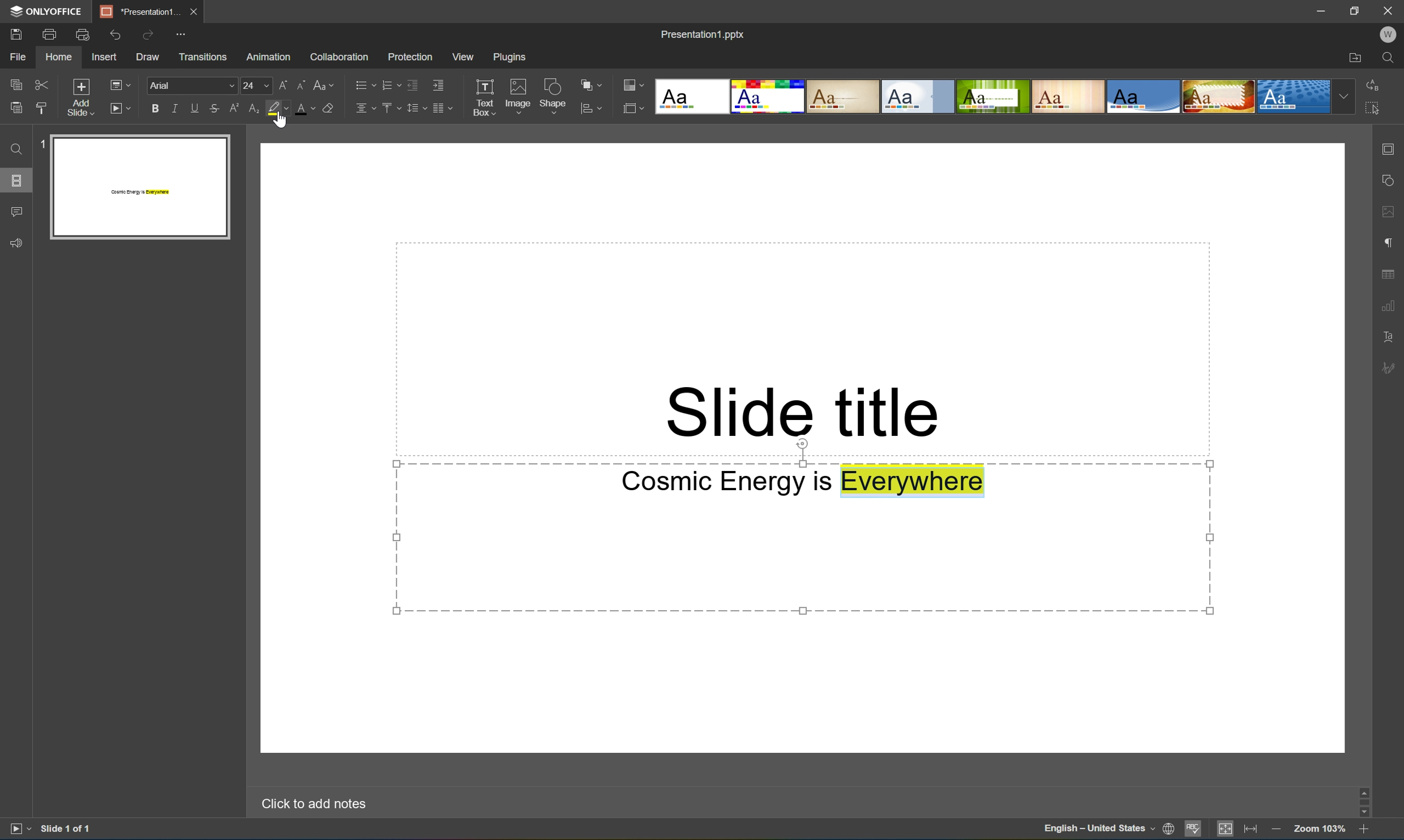  Describe the element at coordinates (1004, 96) in the screenshot. I see `Type of slides` at that location.